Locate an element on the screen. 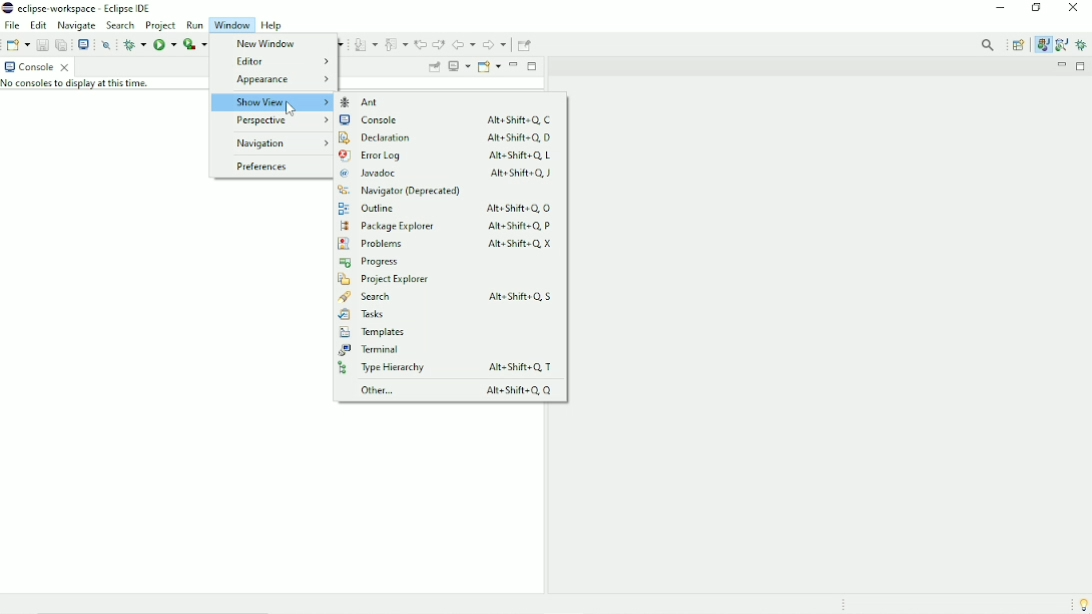  Preferences is located at coordinates (260, 167).